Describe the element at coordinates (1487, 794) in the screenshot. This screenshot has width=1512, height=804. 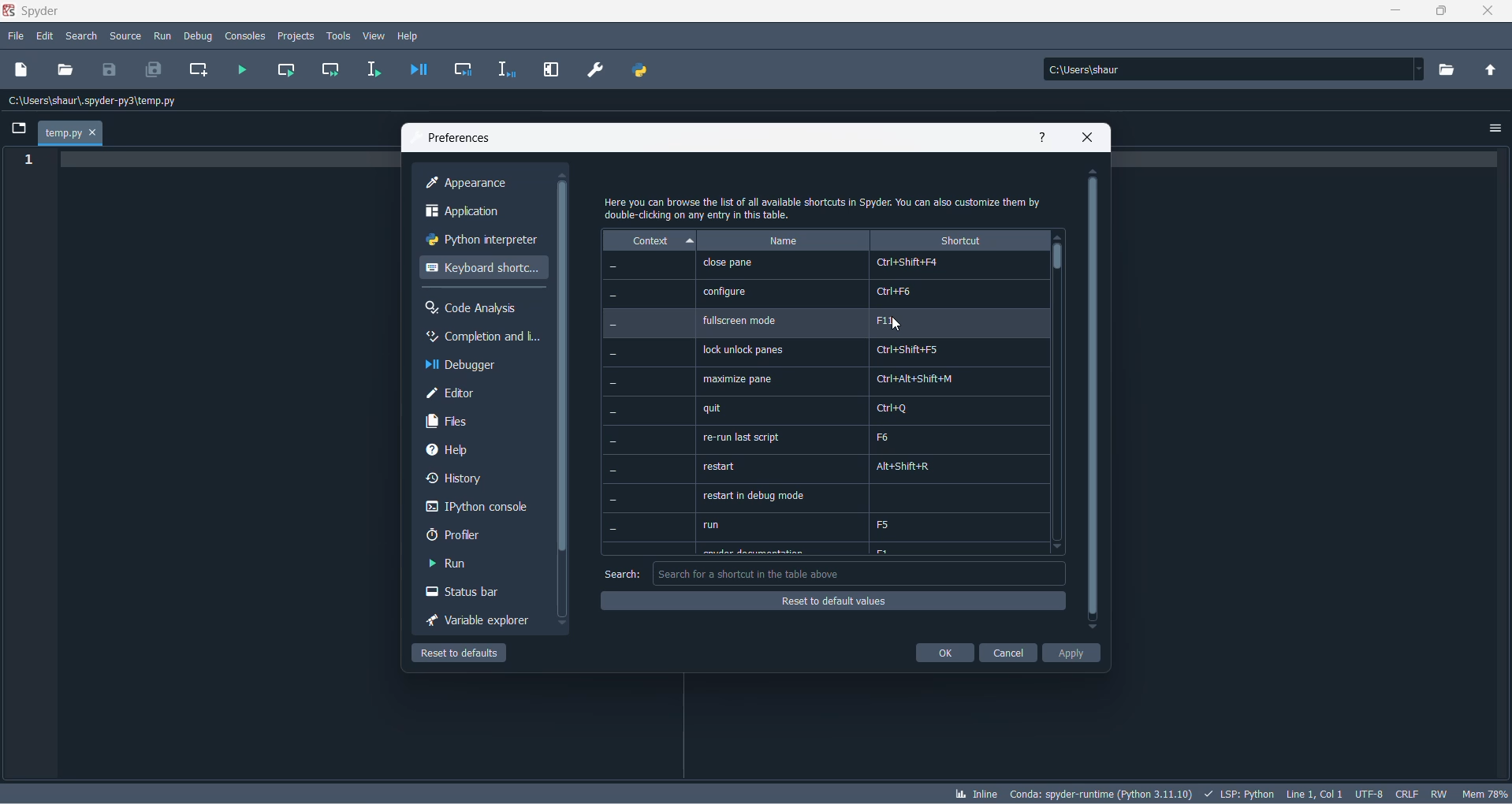
I see `memory usage` at that location.